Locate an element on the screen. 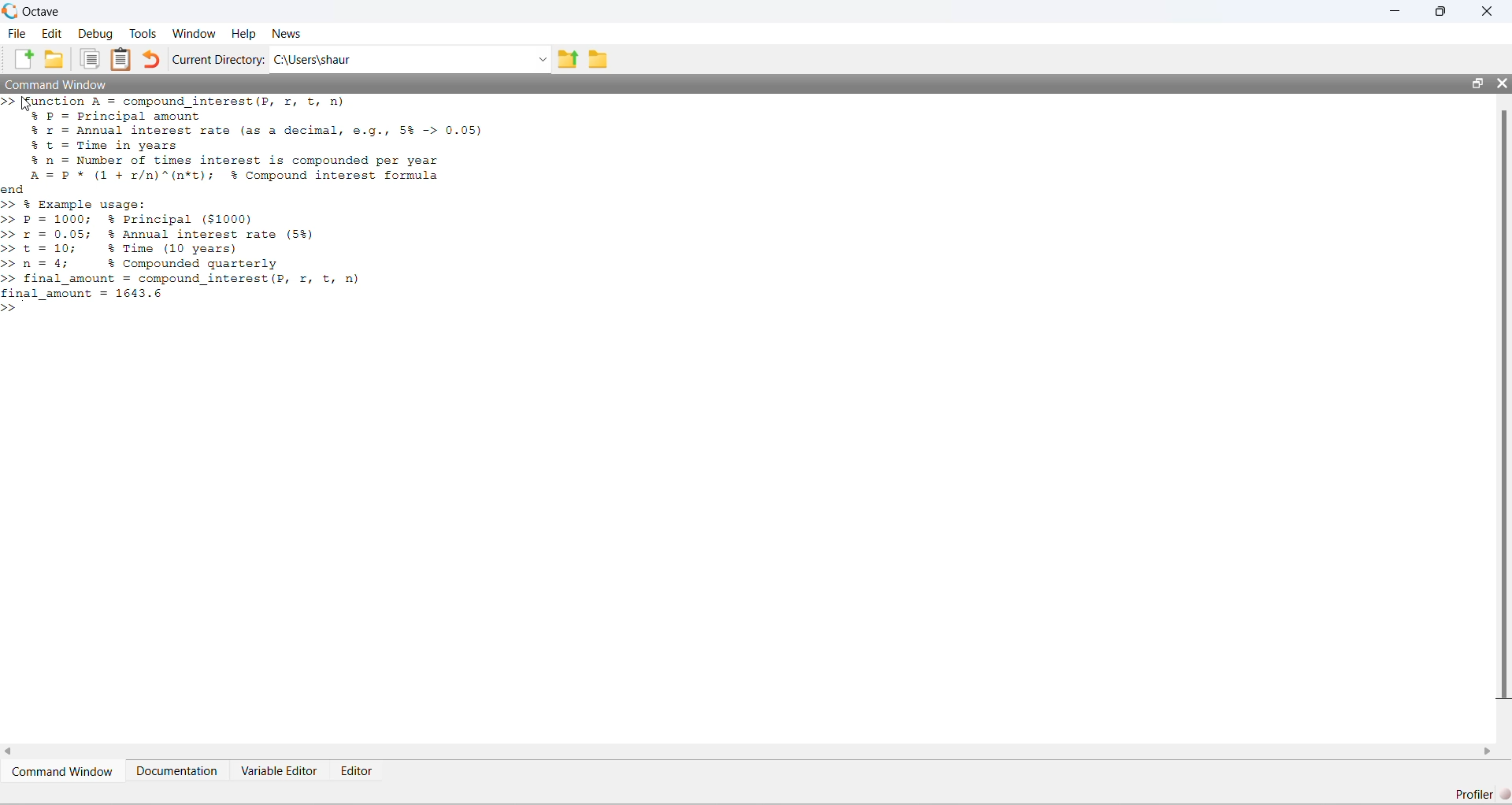 The height and width of the screenshot is (805, 1512). Profiler is located at coordinates (1480, 793).